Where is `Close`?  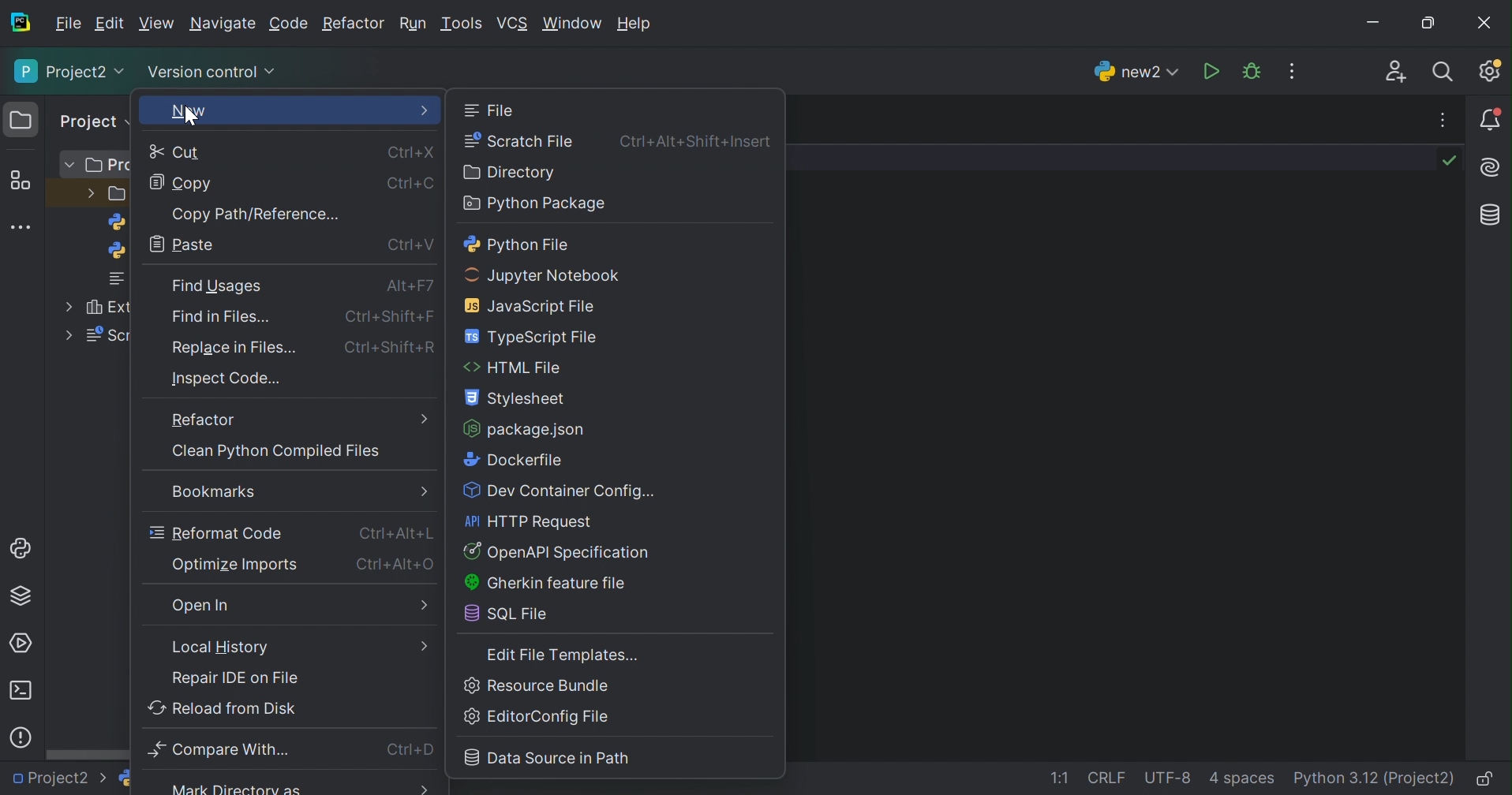 Close is located at coordinates (1486, 22).